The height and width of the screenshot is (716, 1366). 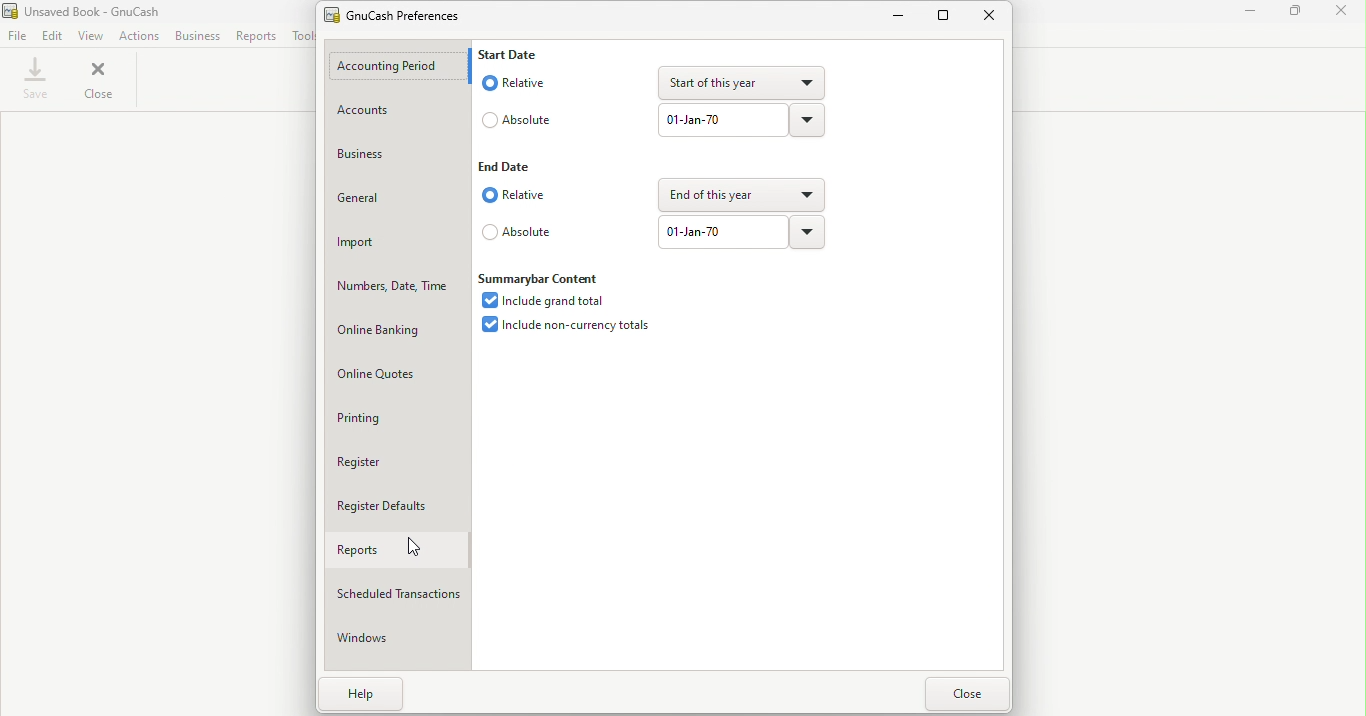 I want to click on Relative, so click(x=523, y=194).